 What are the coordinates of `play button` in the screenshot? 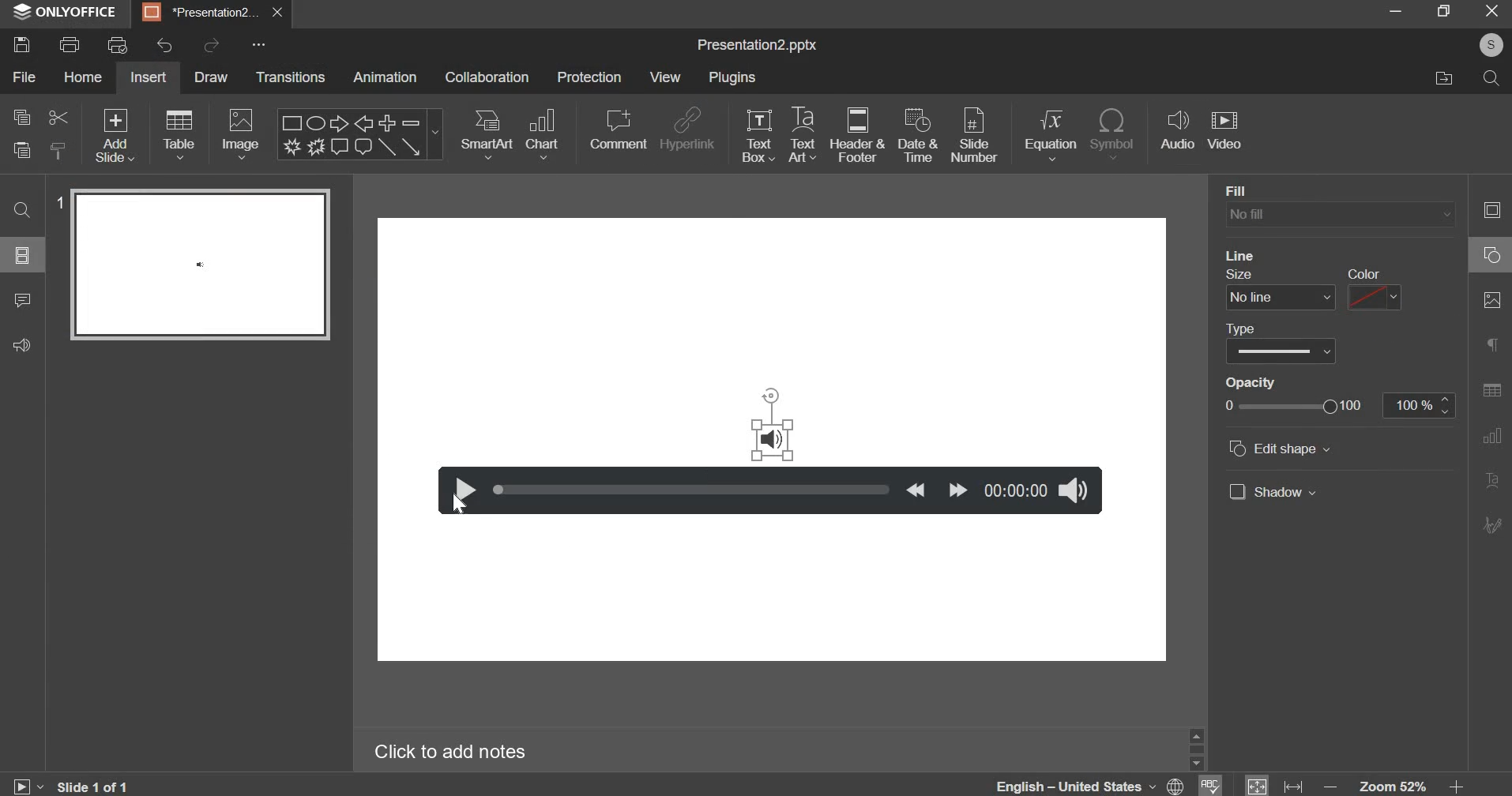 It's located at (461, 490).